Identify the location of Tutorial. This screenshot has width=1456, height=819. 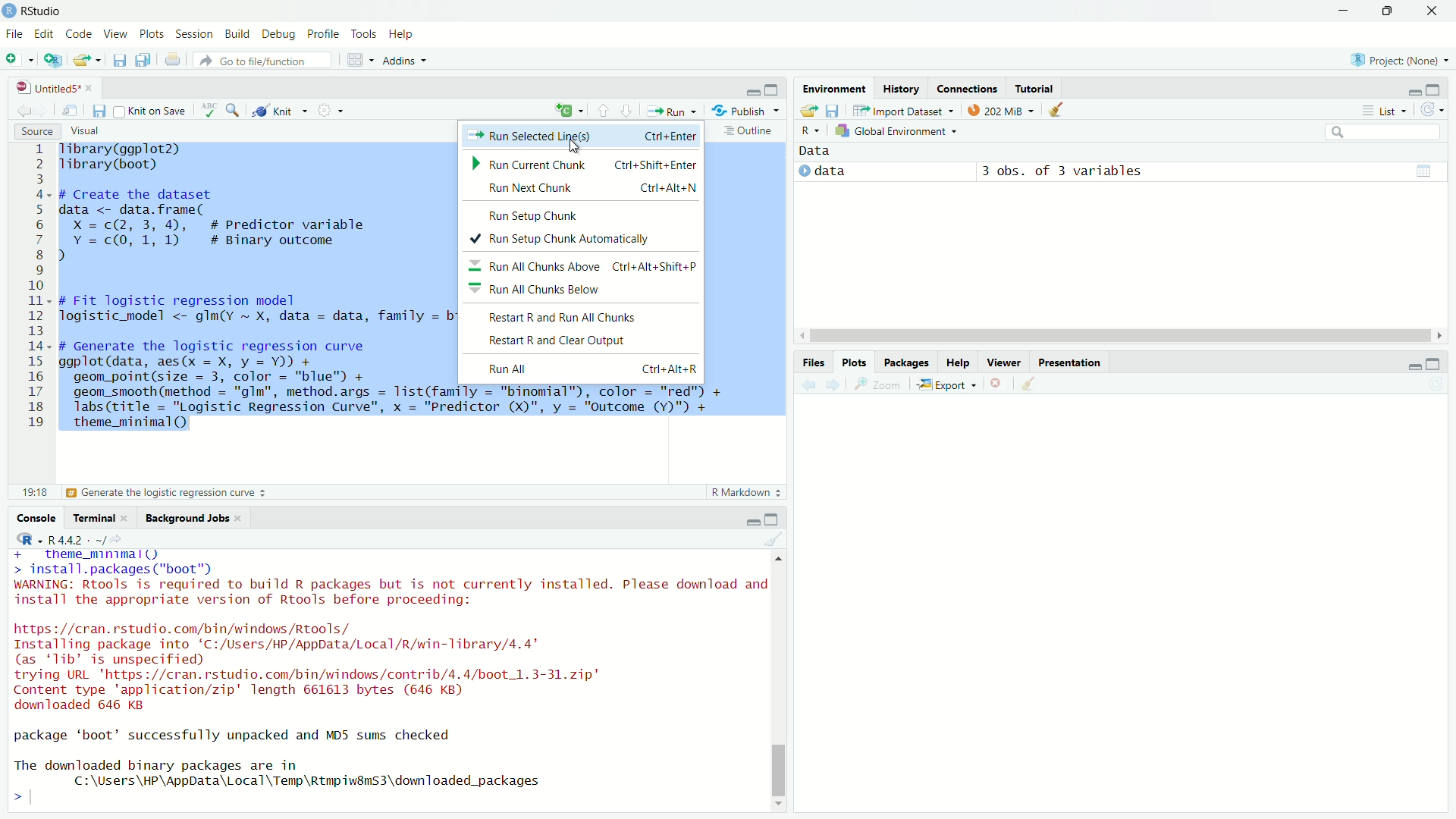
(1035, 87).